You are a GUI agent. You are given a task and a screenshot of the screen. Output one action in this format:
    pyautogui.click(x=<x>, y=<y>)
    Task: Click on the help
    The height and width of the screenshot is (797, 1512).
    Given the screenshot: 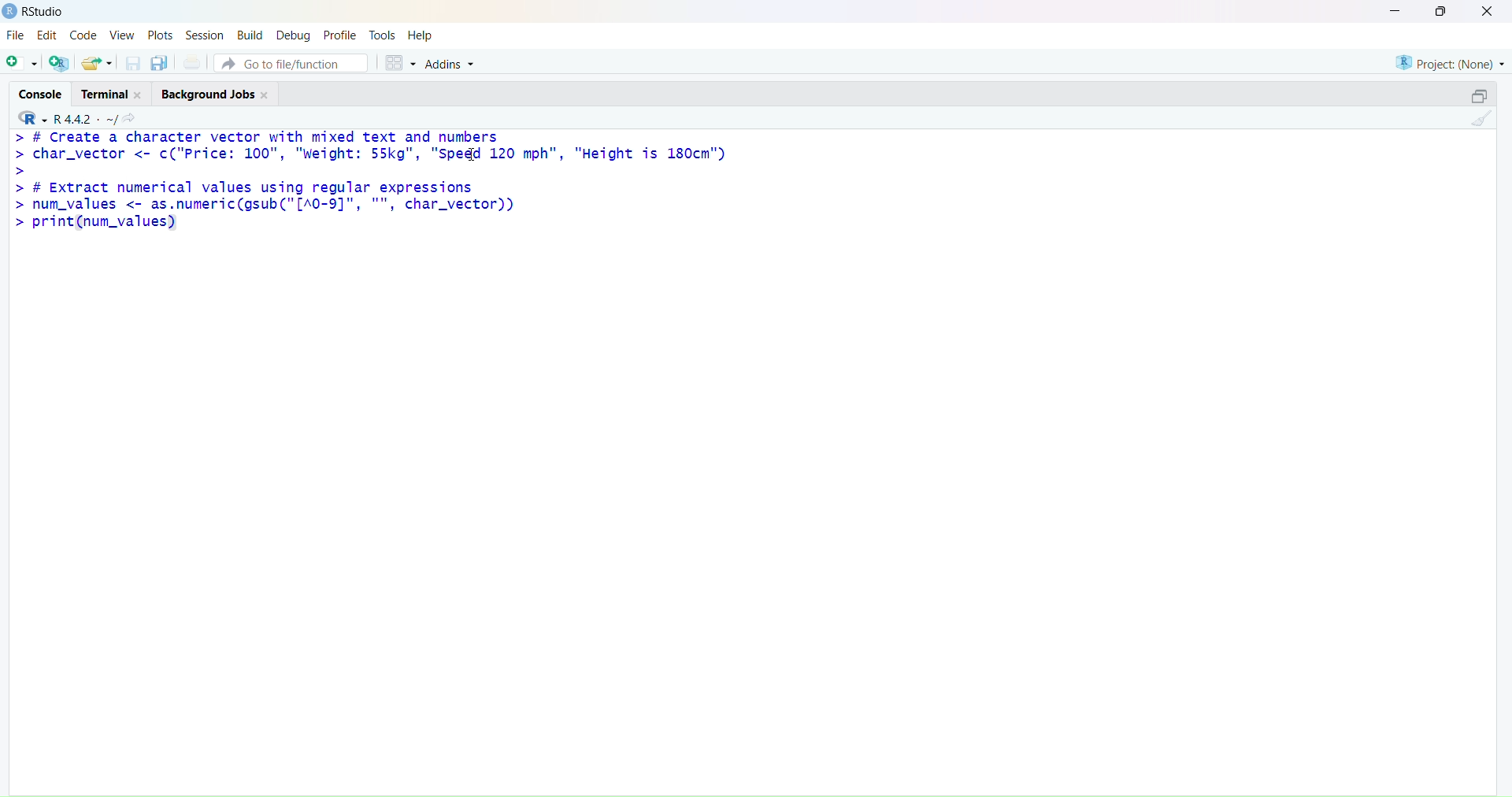 What is the action you would take?
    pyautogui.click(x=420, y=36)
    